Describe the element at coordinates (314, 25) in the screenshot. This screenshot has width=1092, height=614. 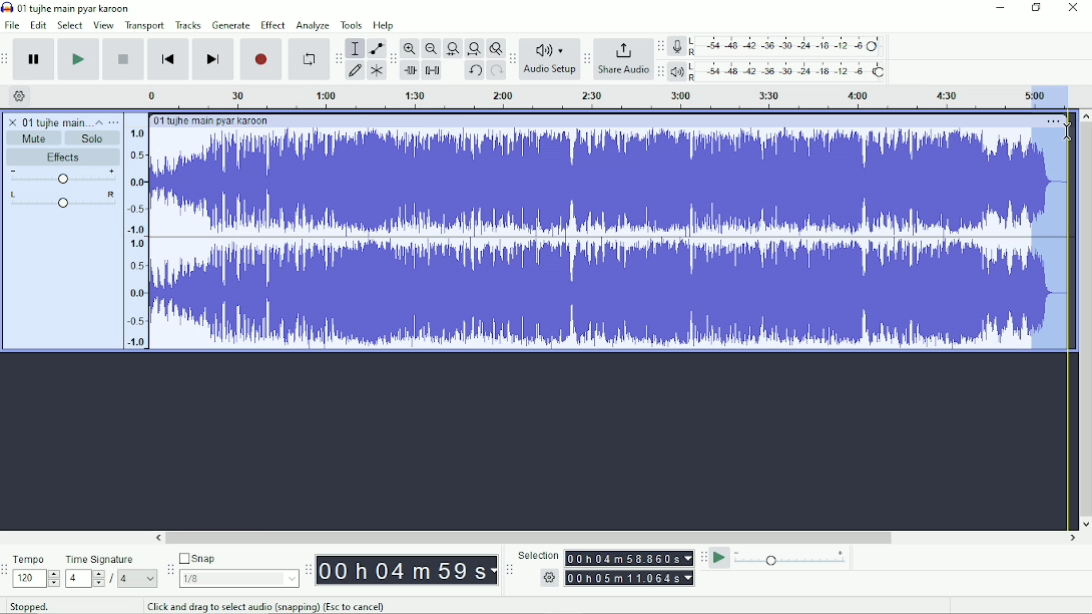
I see `Analyze` at that location.